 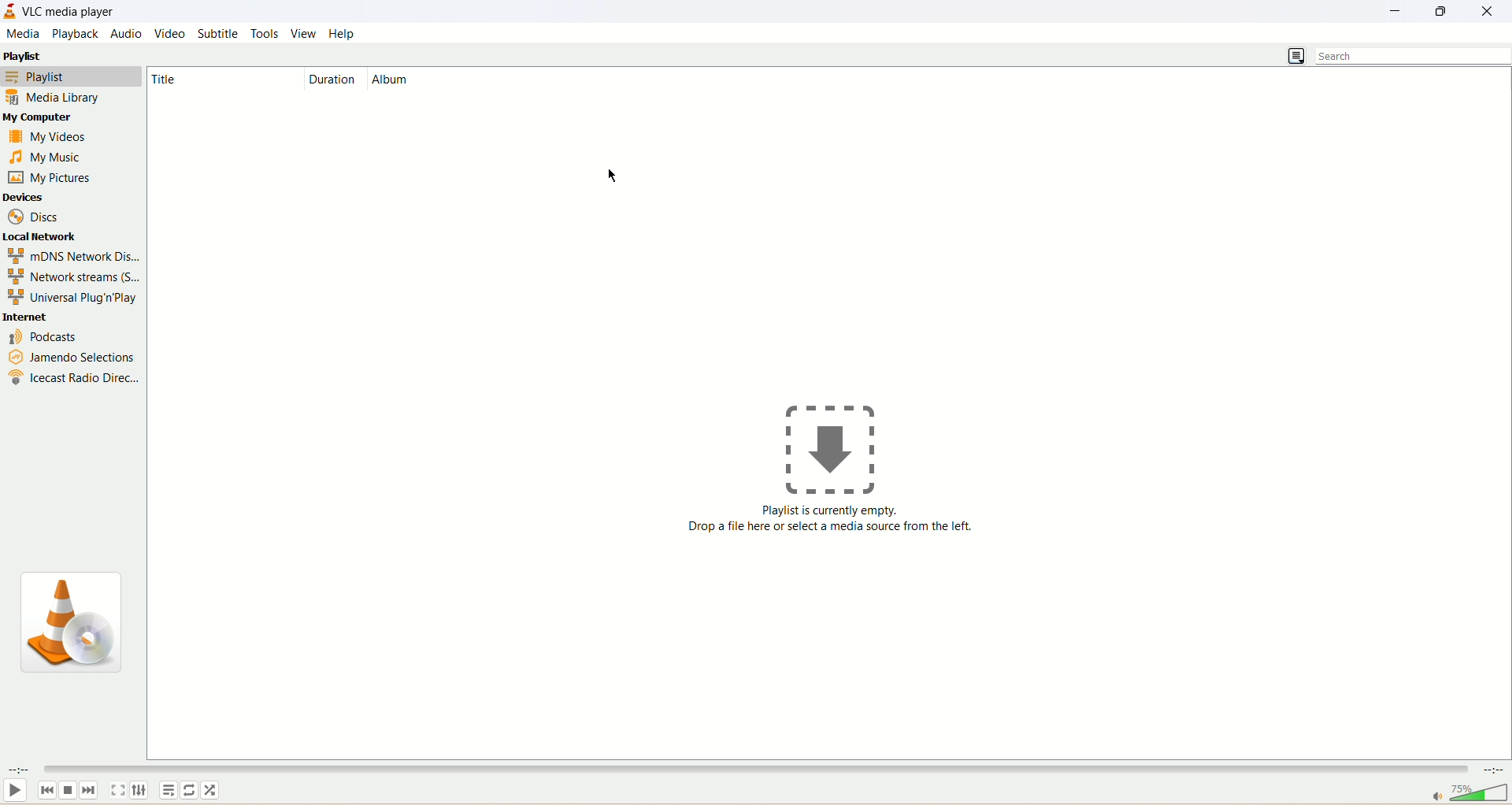 I want to click on playlist, so click(x=72, y=75).